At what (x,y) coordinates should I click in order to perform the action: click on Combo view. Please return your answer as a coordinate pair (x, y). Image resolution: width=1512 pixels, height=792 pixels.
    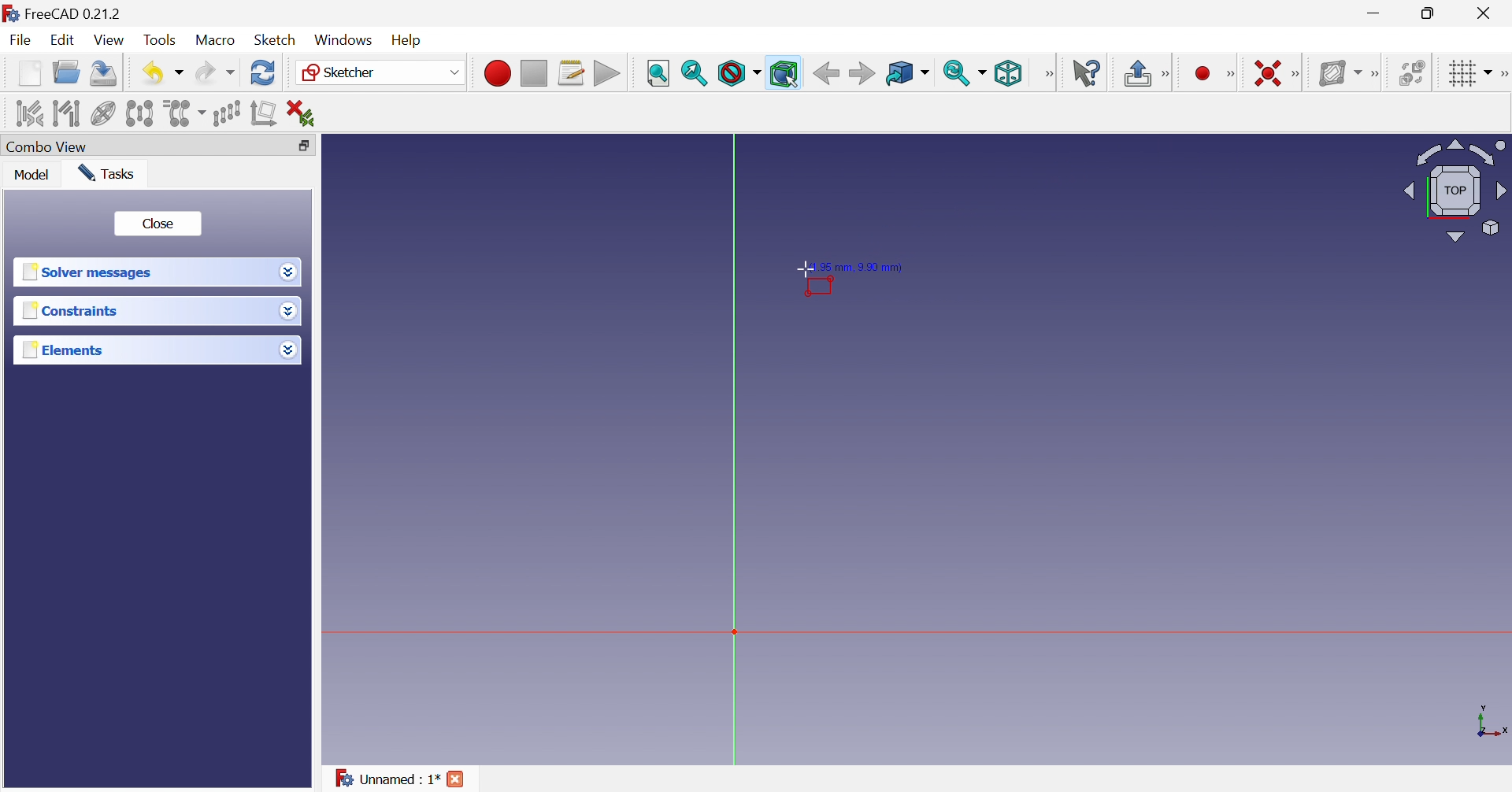
    Looking at the image, I should click on (45, 147).